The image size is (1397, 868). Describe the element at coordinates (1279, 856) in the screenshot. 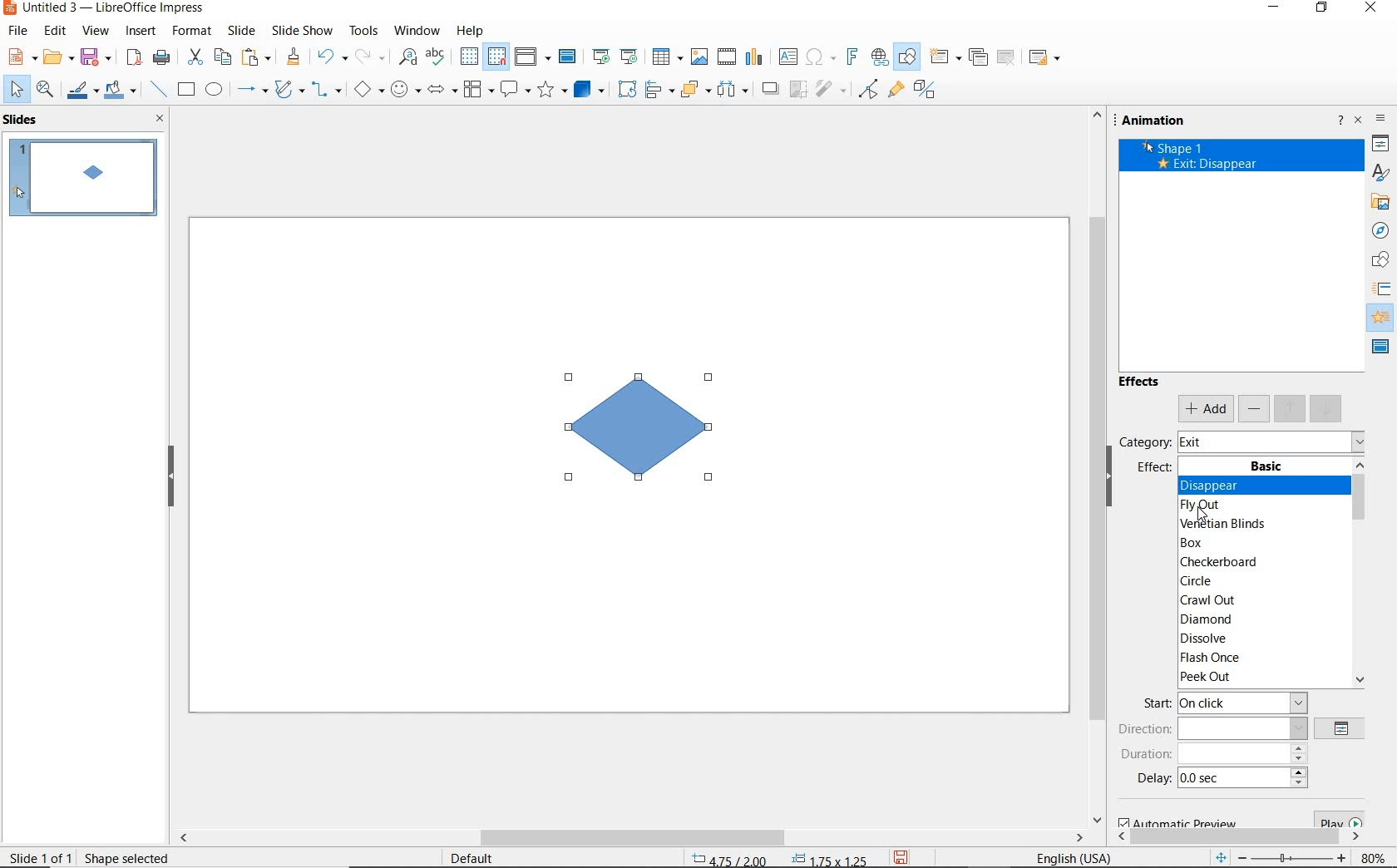

I see `zoom out or zoom in` at that location.